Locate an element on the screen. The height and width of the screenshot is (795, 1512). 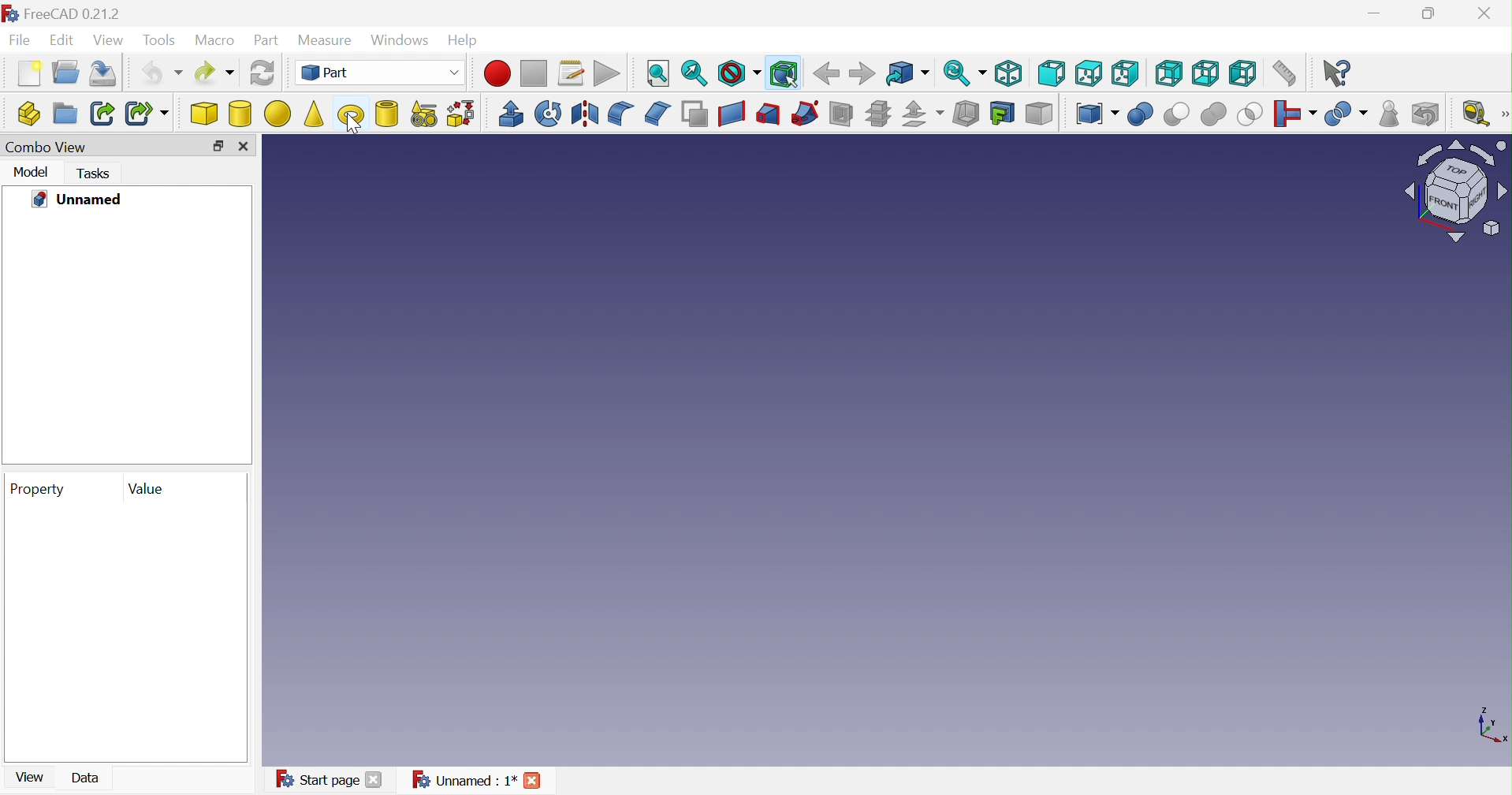
Refresh is located at coordinates (261, 73).